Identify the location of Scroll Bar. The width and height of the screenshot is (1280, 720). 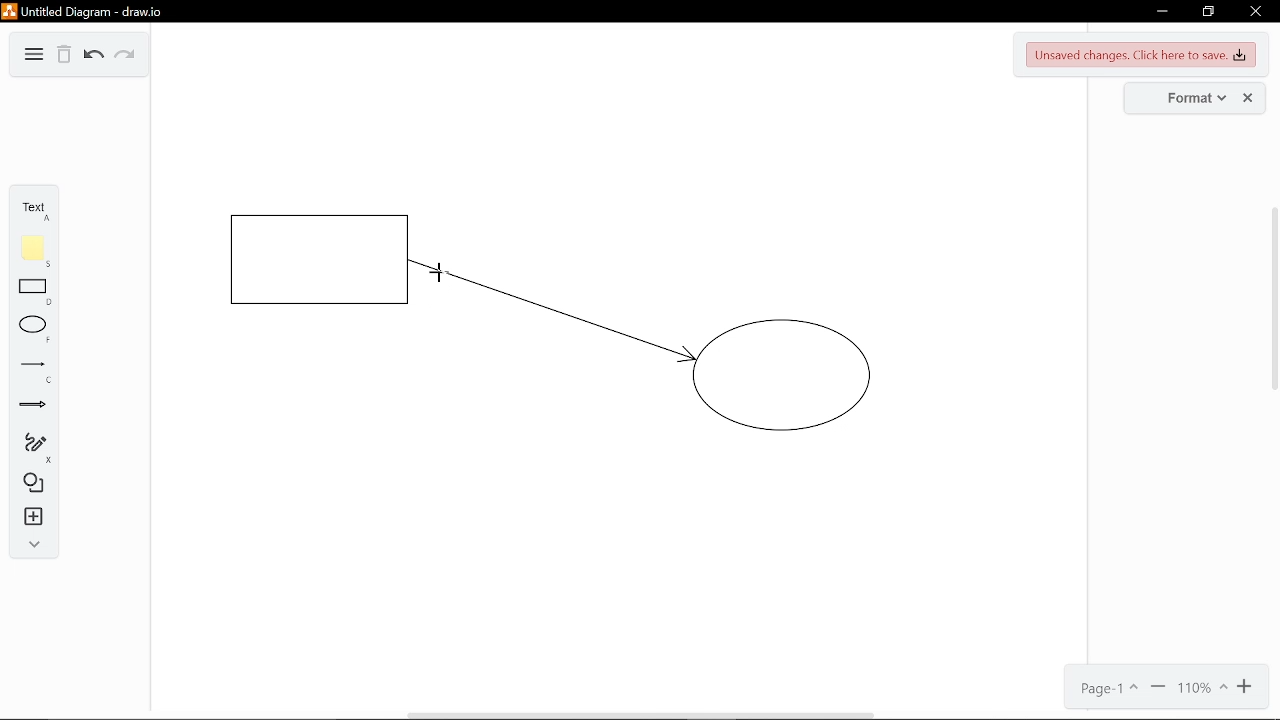
(1266, 309).